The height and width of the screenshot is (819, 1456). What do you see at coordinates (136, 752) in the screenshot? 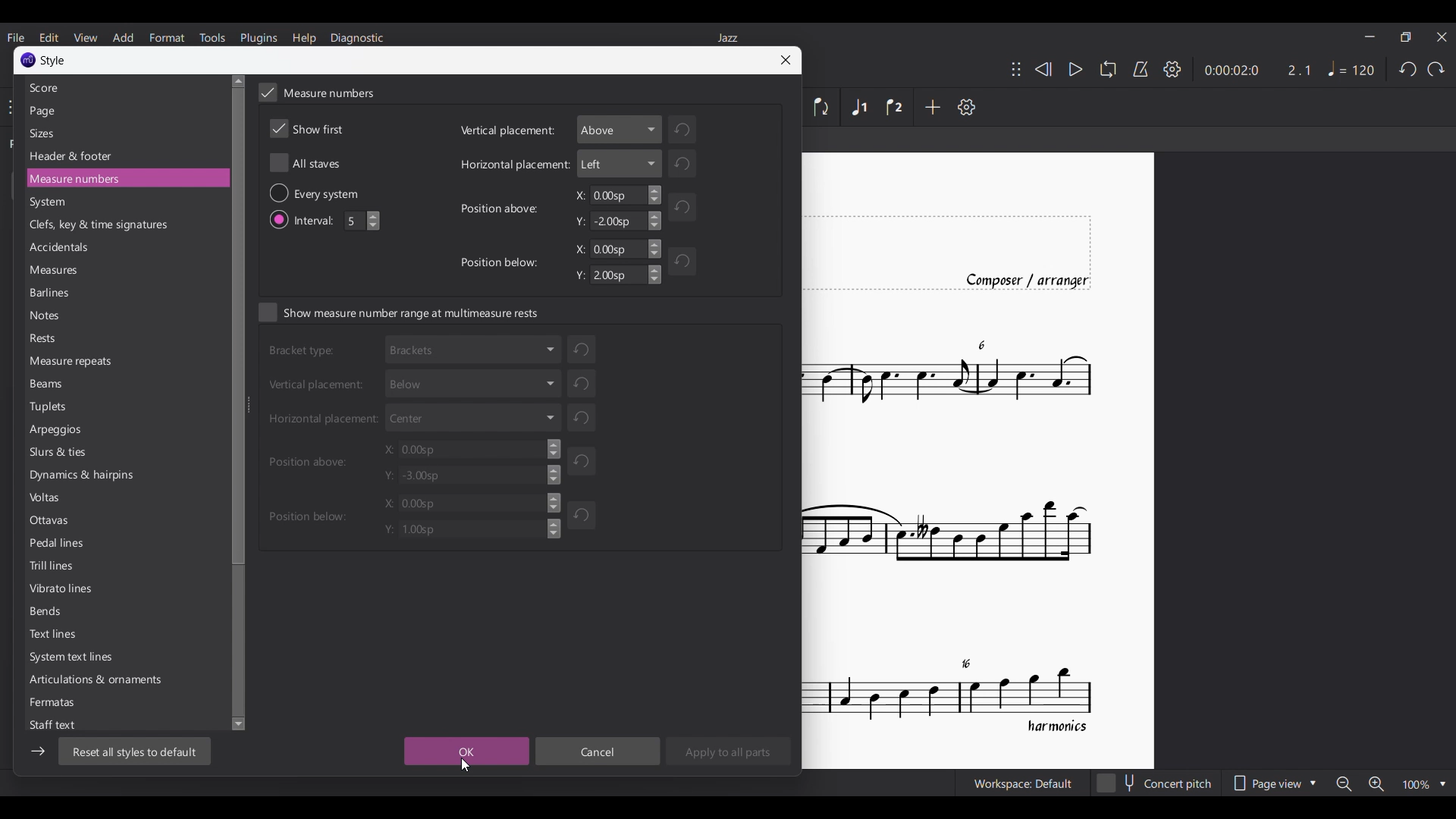
I see `Reset to default` at bounding box center [136, 752].